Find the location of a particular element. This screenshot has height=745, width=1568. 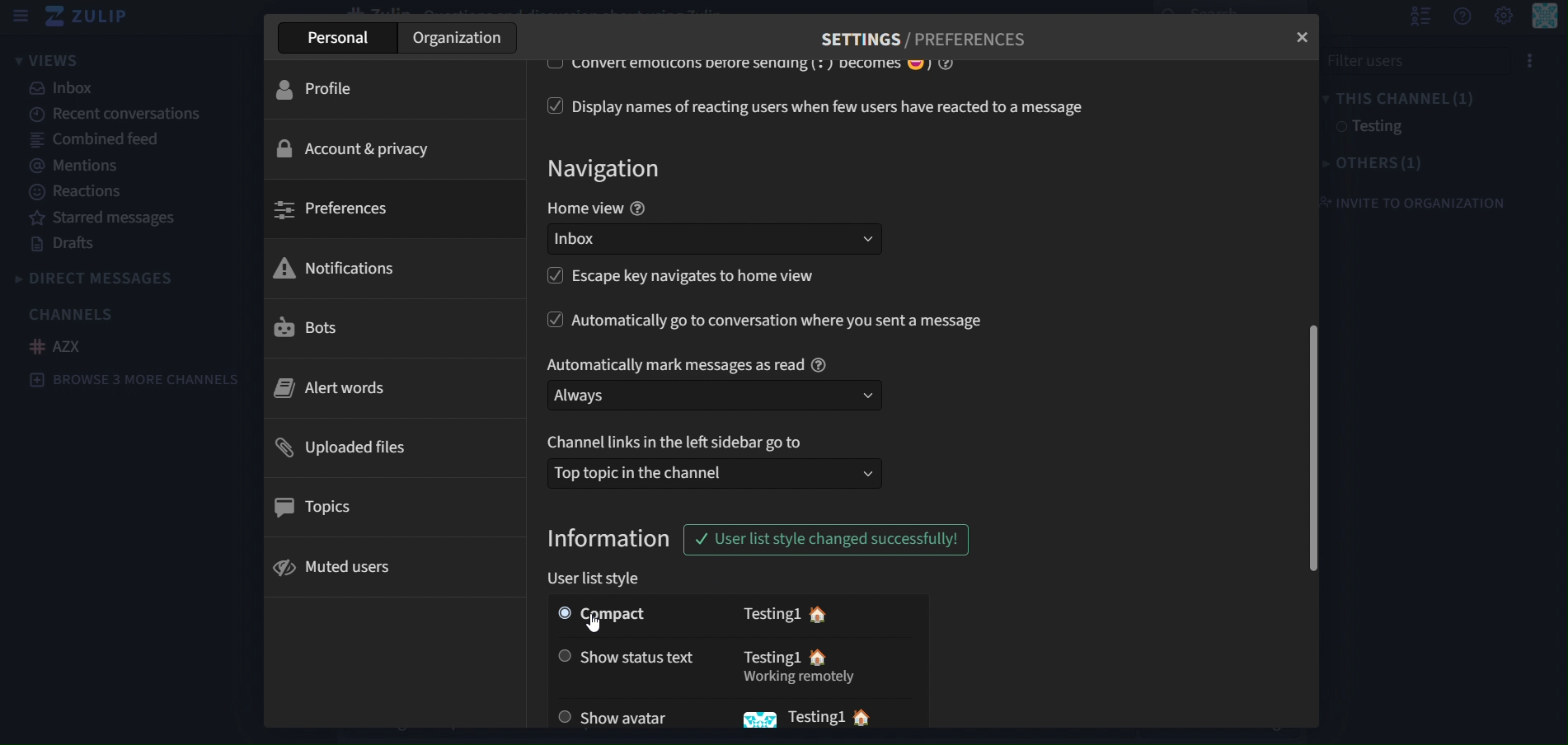

home view is located at coordinates (596, 209).